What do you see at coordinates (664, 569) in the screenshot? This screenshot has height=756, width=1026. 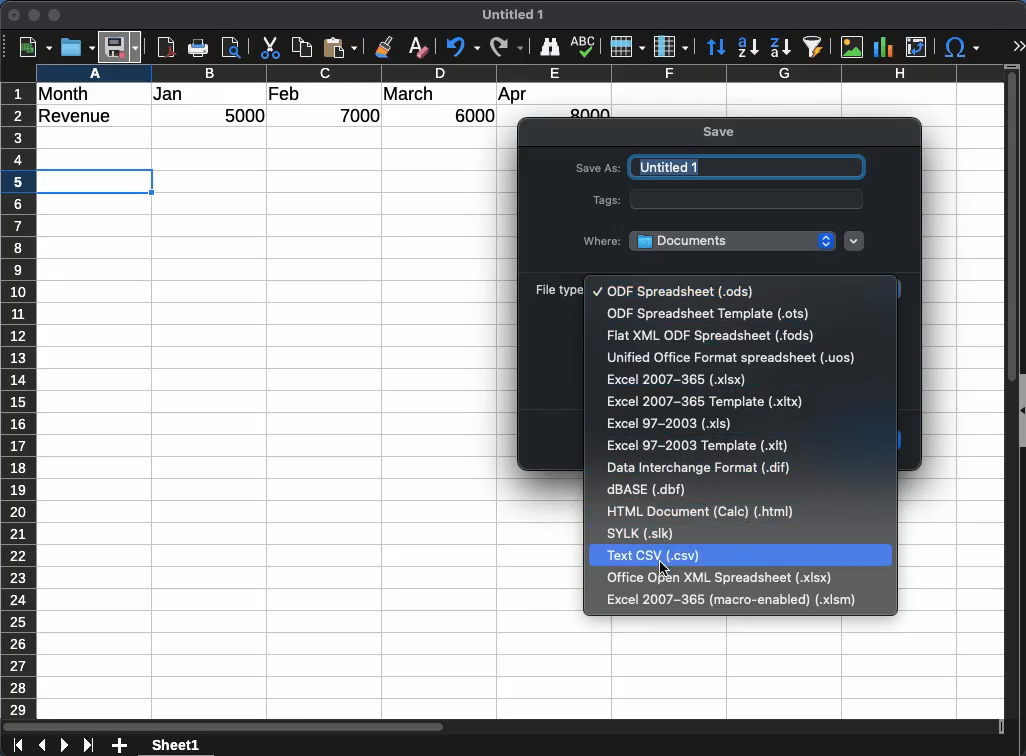 I see `Cursor` at bounding box center [664, 569].